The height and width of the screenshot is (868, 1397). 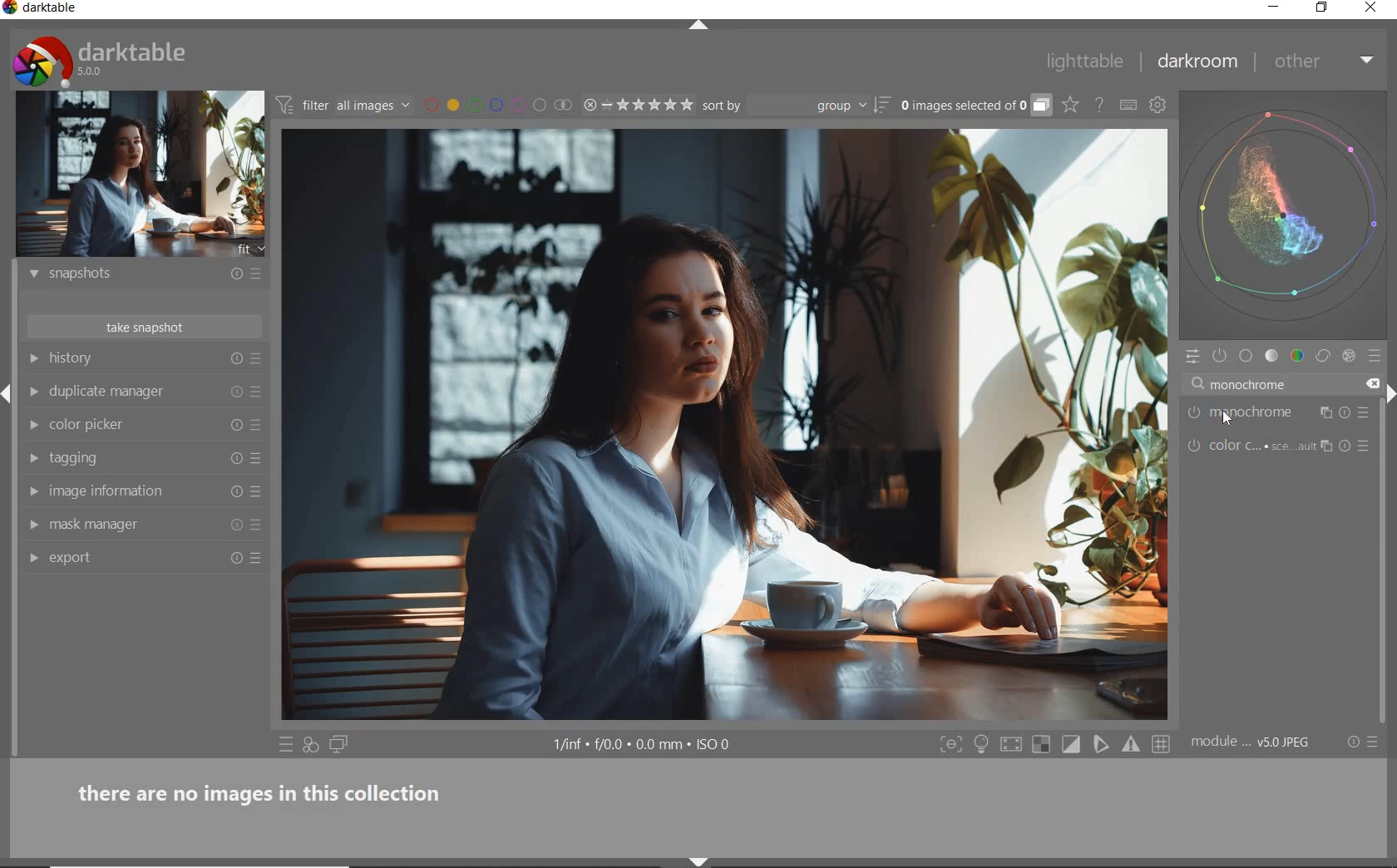 What do you see at coordinates (31, 459) in the screenshot?
I see `show module` at bounding box center [31, 459].